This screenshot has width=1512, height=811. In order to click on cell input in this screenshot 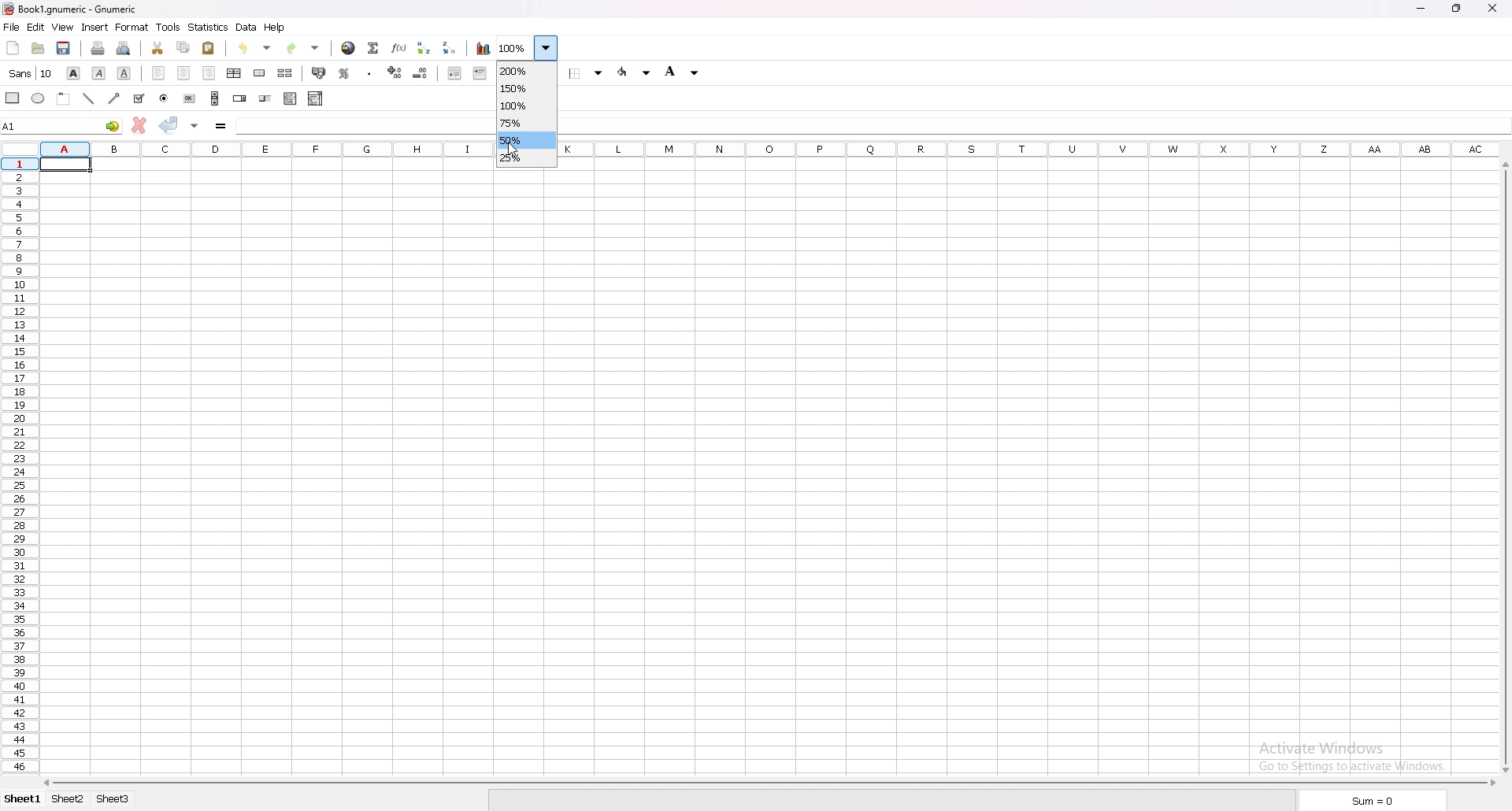, I will do `click(361, 124)`.